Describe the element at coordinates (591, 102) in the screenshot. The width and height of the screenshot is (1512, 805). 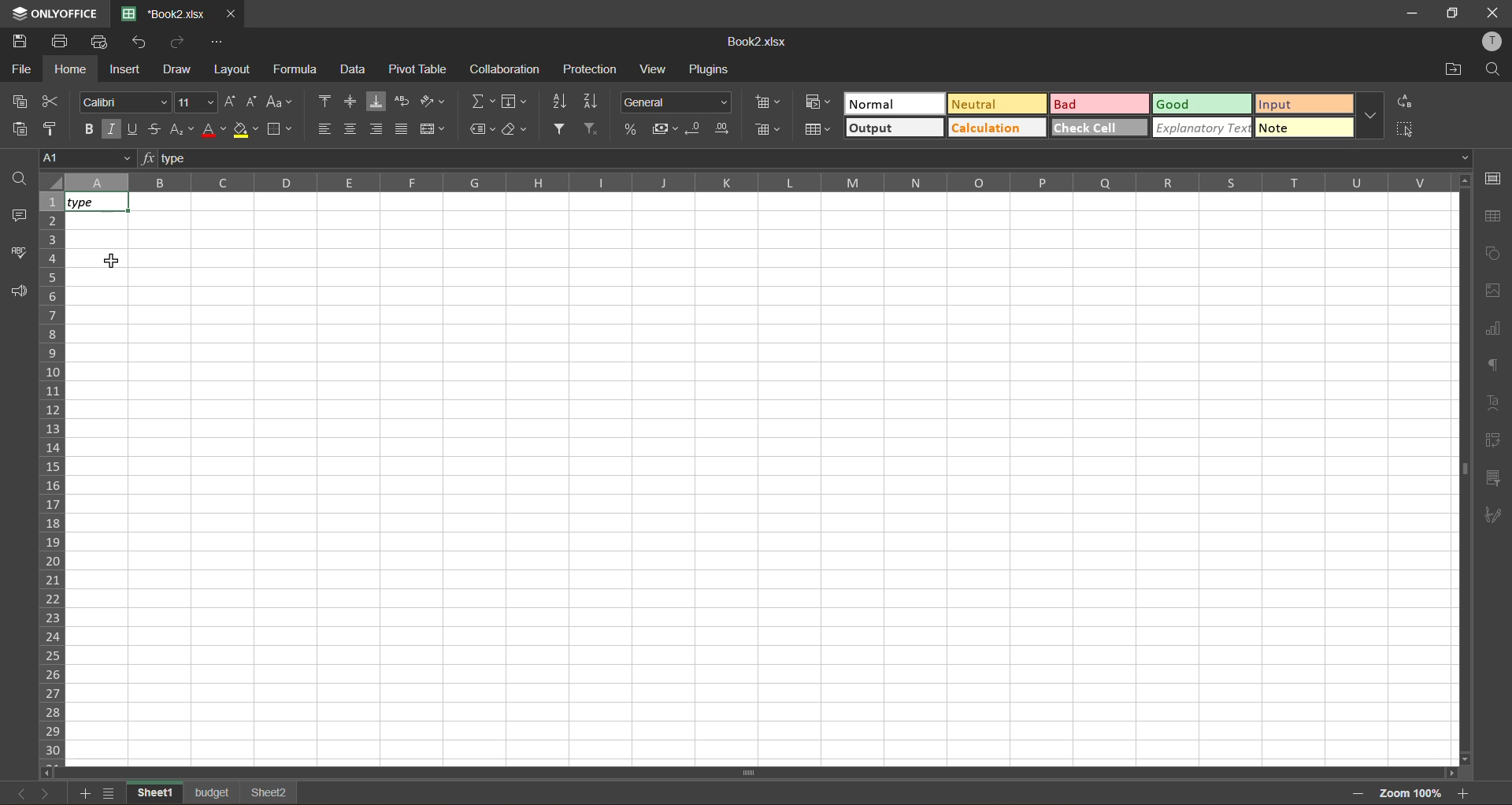
I see `sort descending` at that location.